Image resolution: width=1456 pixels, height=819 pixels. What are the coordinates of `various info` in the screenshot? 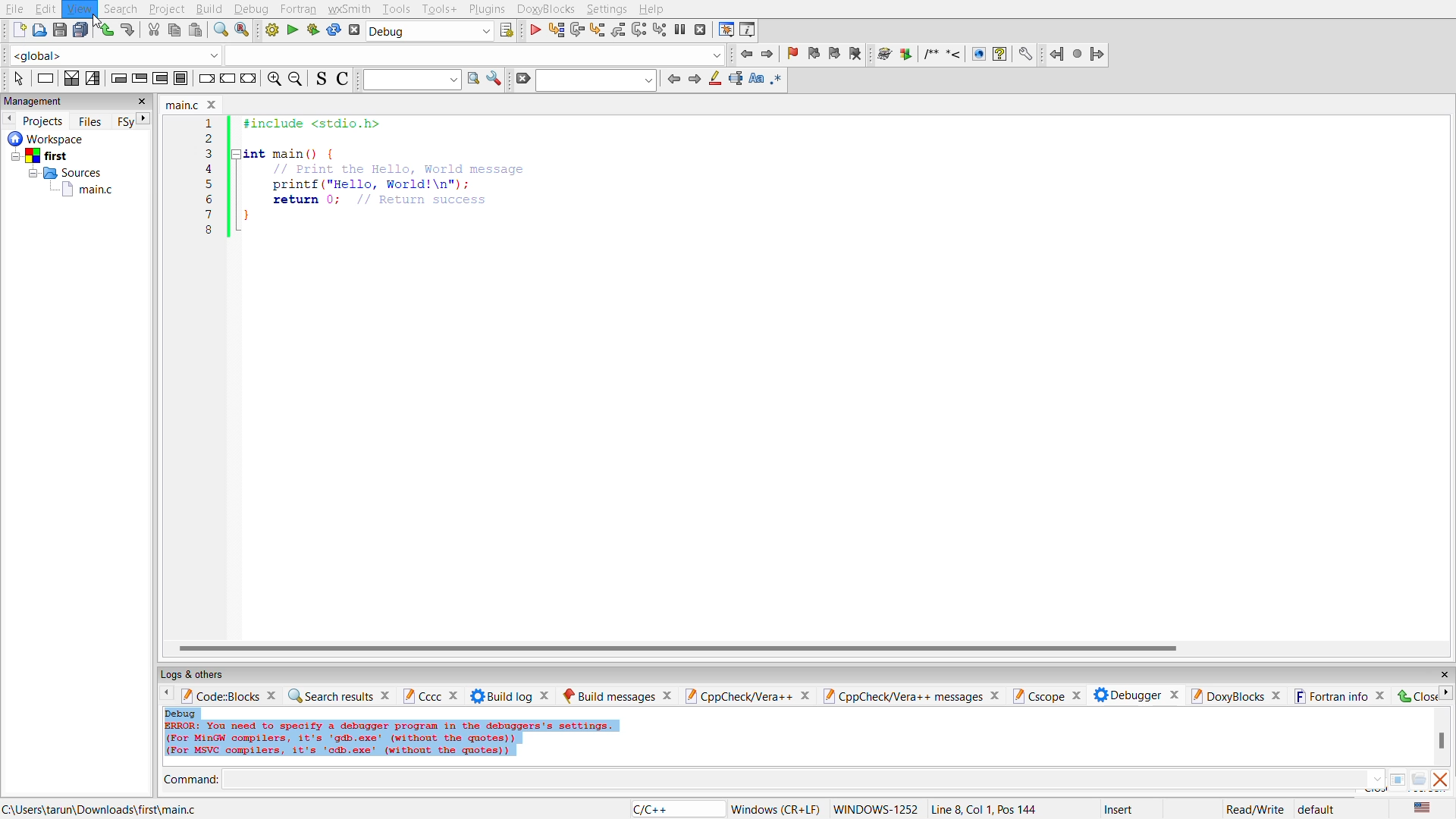 It's located at (749, 31).